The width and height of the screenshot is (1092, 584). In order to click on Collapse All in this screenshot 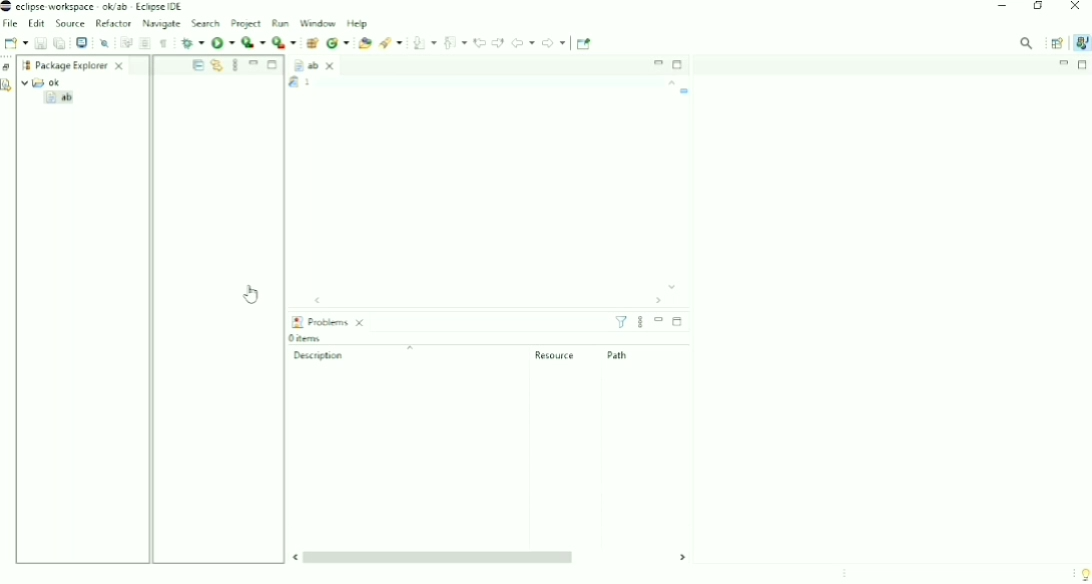, I will do `click(197, 65)`.